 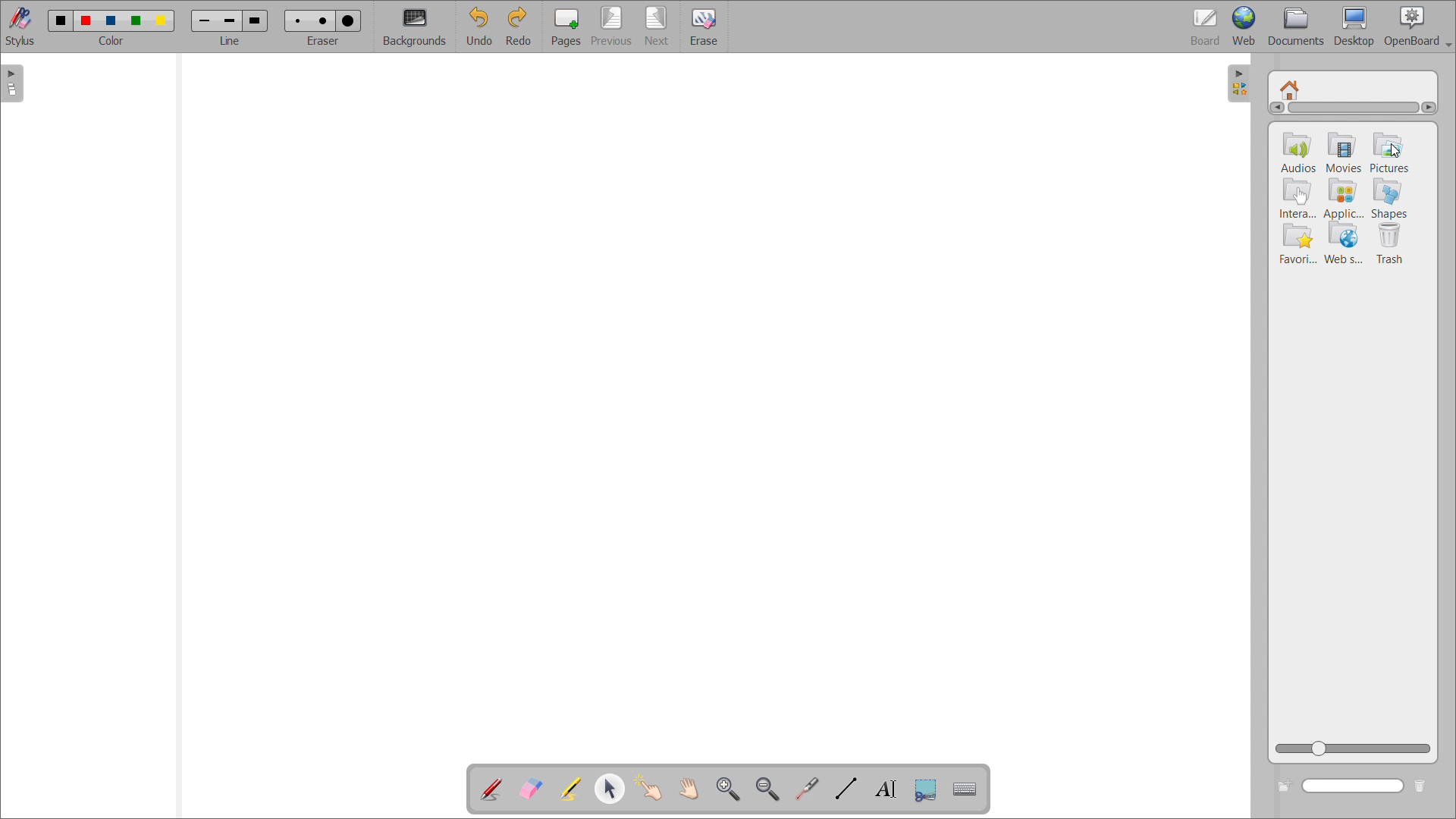 I want to click on open folders view, so click(x=1238, y=83).